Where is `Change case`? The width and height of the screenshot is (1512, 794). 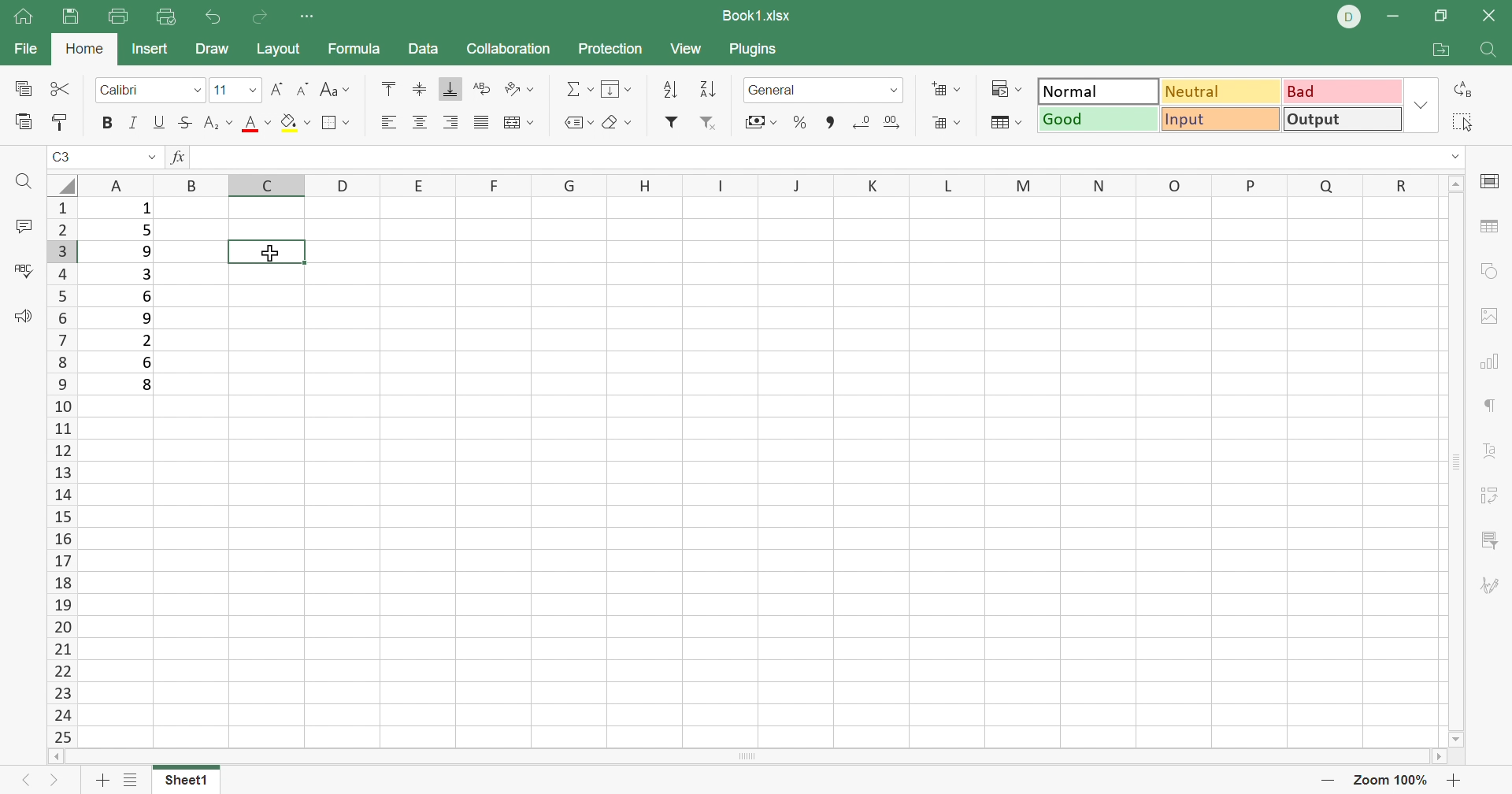 Change case is located at coordinates (335, 87).